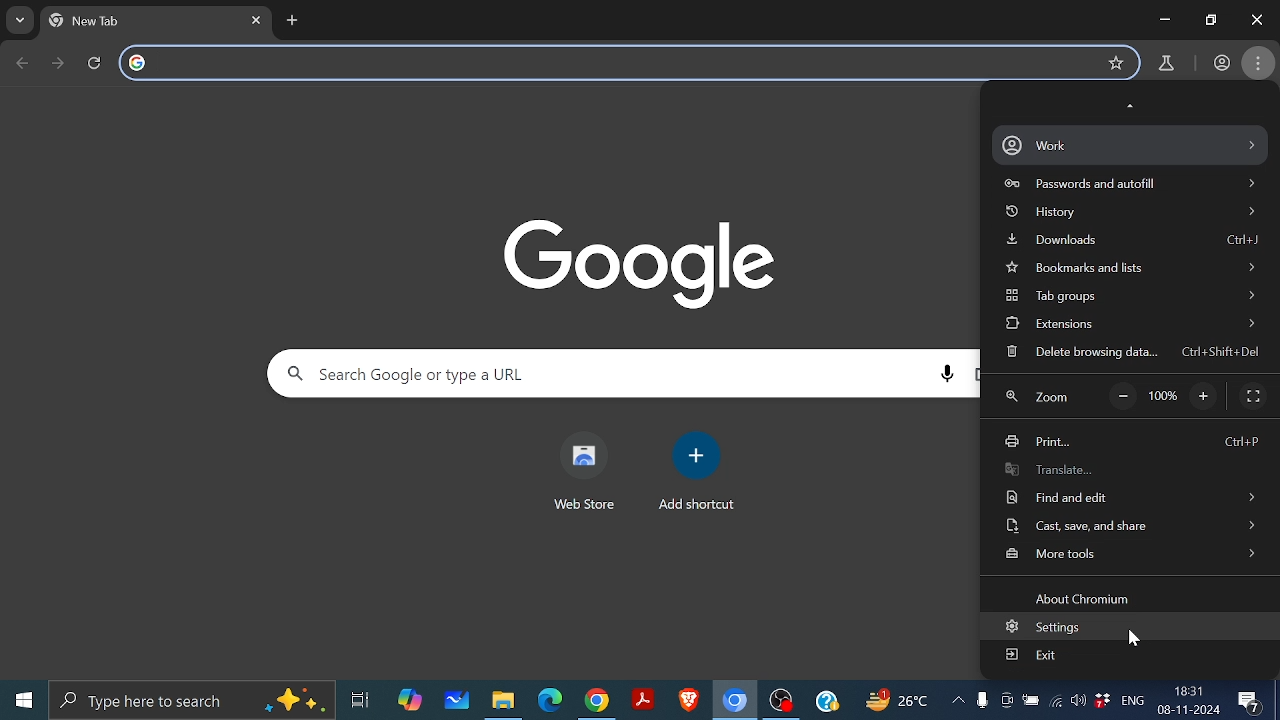  What do you see at coordinates (1104, 704) in the screenshot?
I see `dropbox` at bounding box center [1104, 704].